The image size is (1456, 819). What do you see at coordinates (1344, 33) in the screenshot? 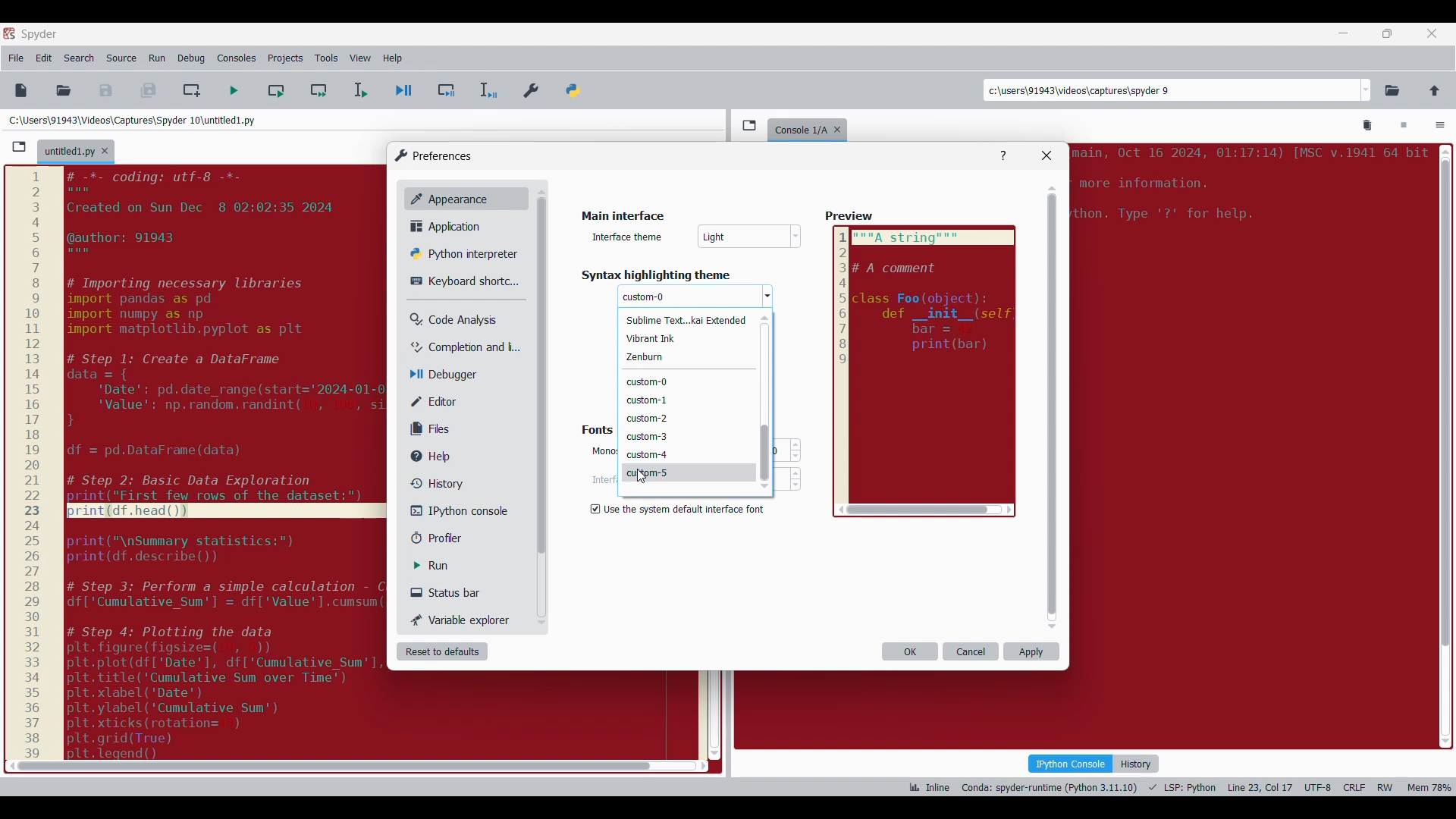
I see `Minimize` at bounding box center [1344, 33].